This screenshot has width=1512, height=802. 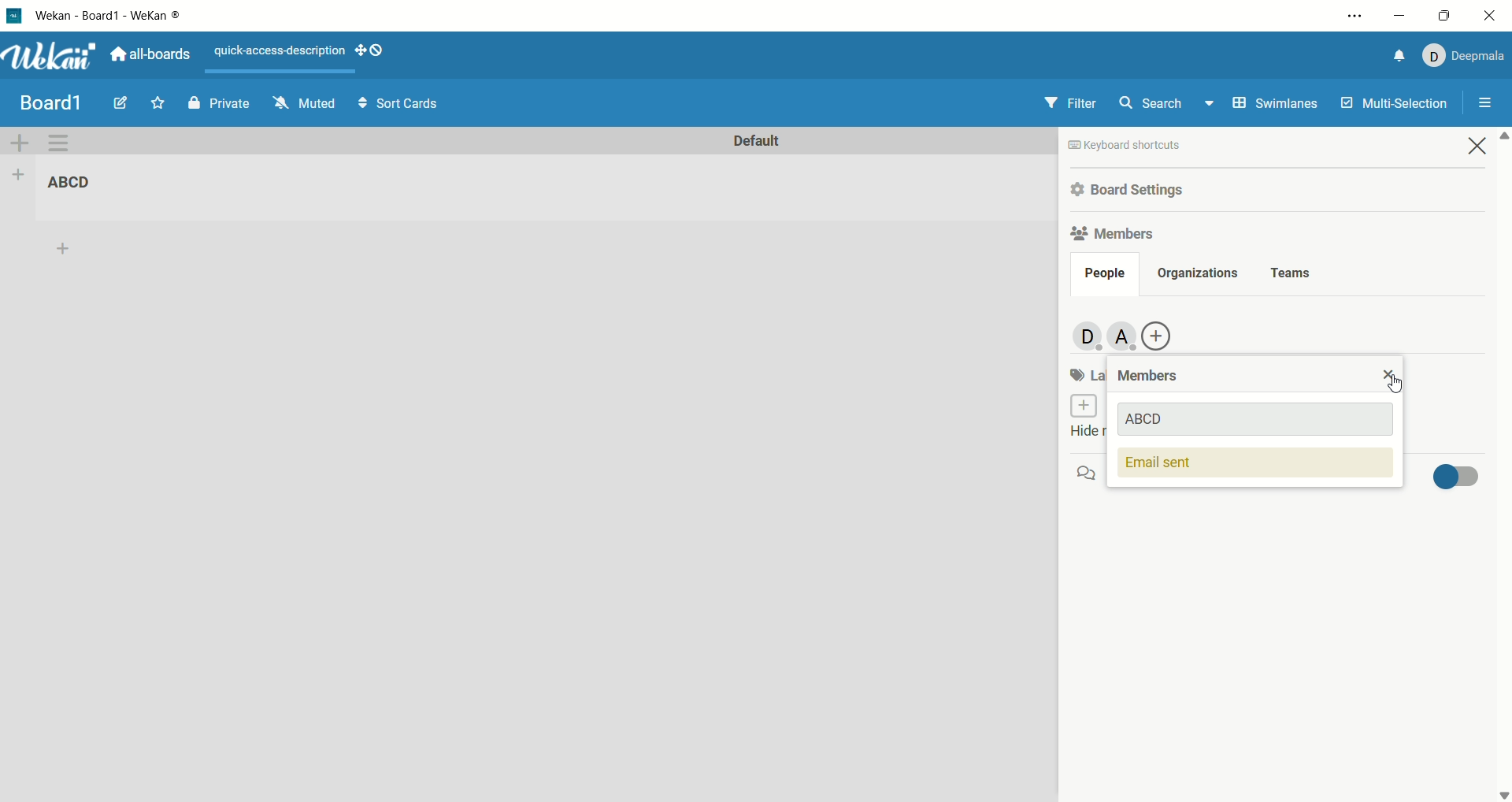 I want to click on email sent, so click(x=1256, y=465).